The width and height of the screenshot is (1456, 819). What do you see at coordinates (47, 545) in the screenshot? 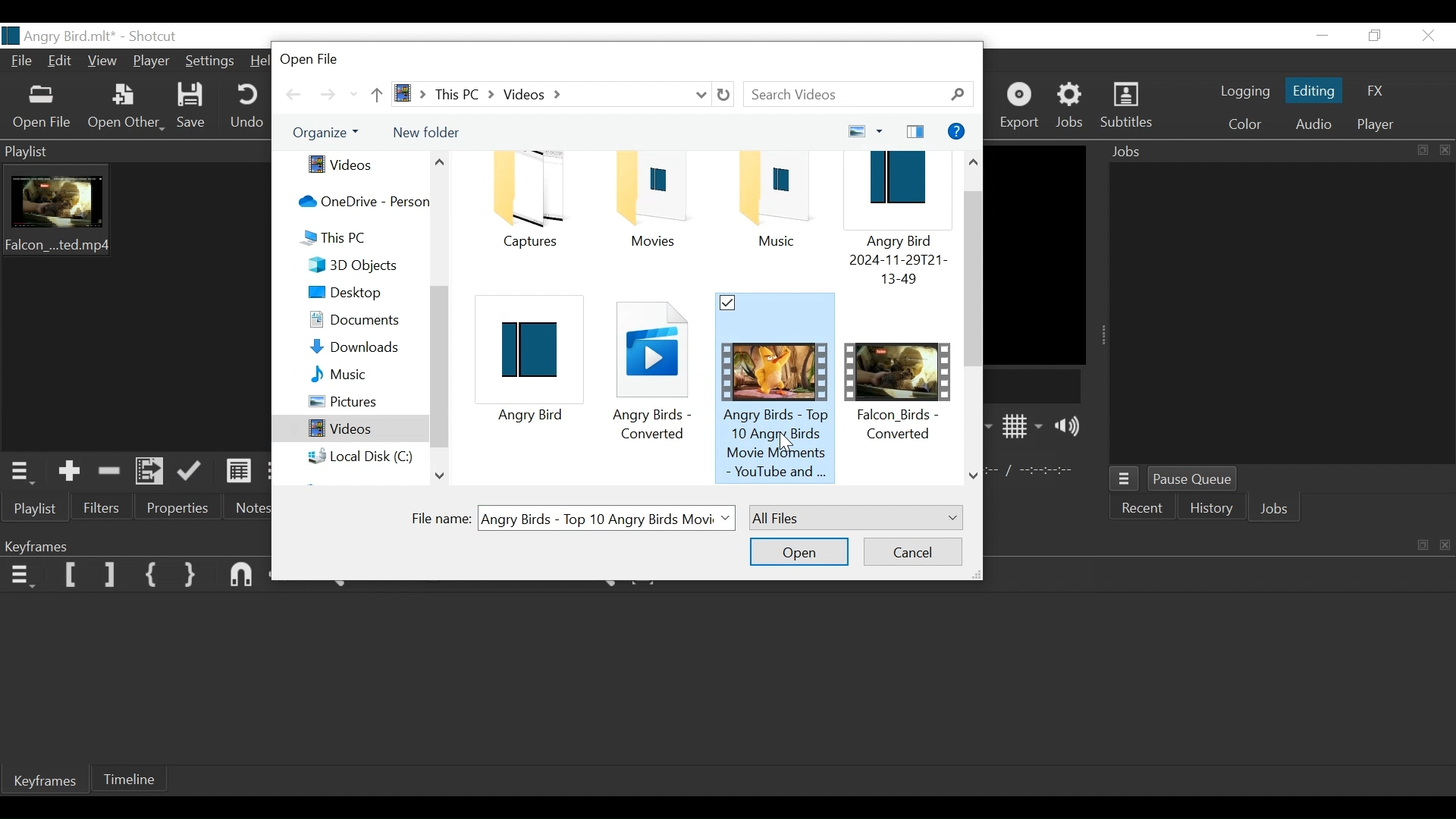
I see `Keyframe Panel` at bounding box center [47, 545].